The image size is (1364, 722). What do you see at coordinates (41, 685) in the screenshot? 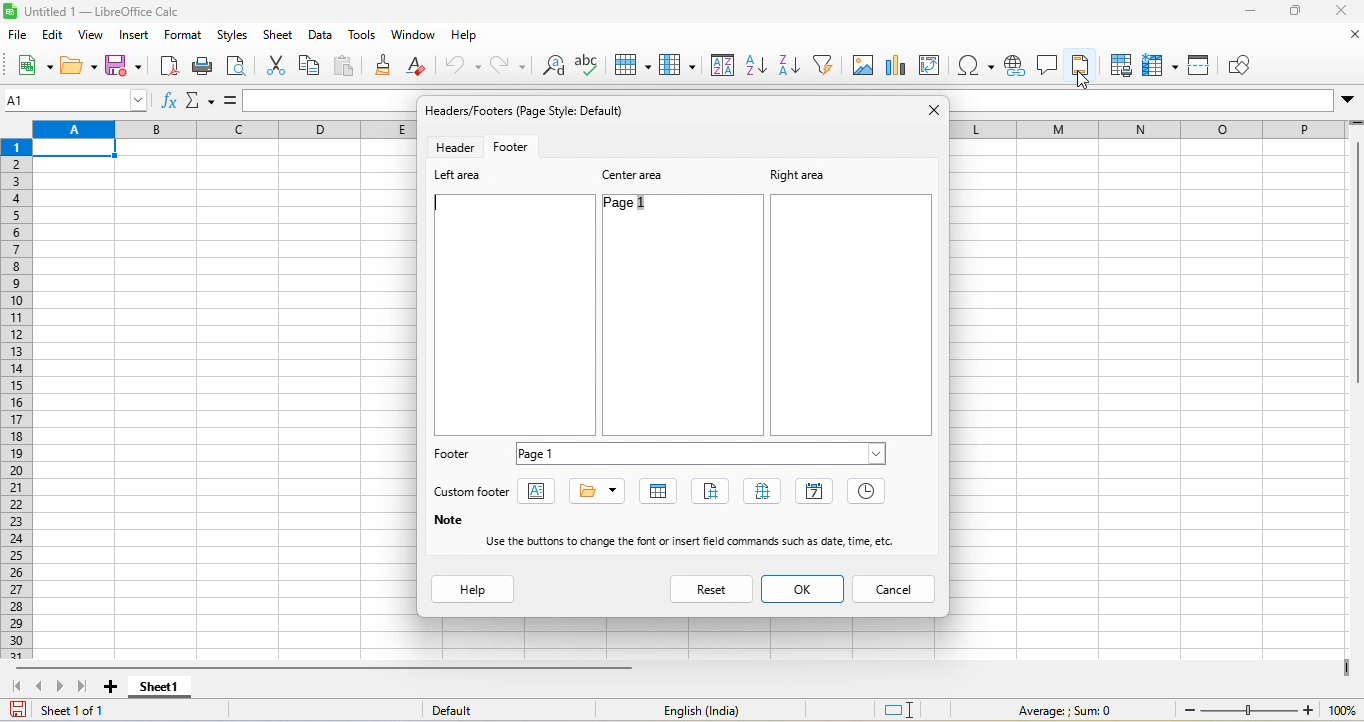
I see `previous sheet` at bounding box center [41, 685].